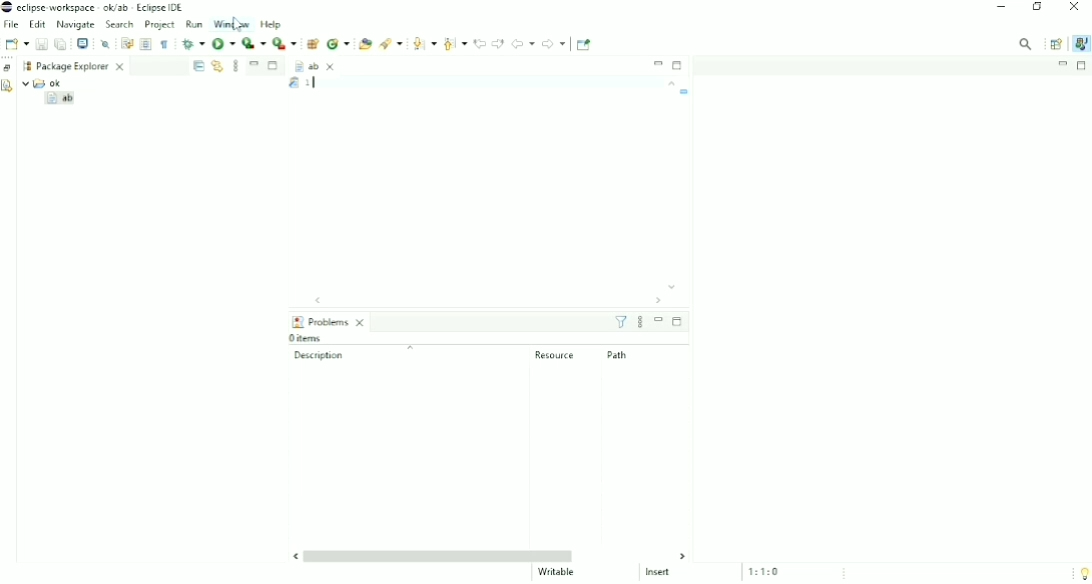 The width and height of the screenshot is (1092, 584). What do you see at coordinates (8, 67) in the screenshot?
I see `Restore` at bounding box center [8, 67].